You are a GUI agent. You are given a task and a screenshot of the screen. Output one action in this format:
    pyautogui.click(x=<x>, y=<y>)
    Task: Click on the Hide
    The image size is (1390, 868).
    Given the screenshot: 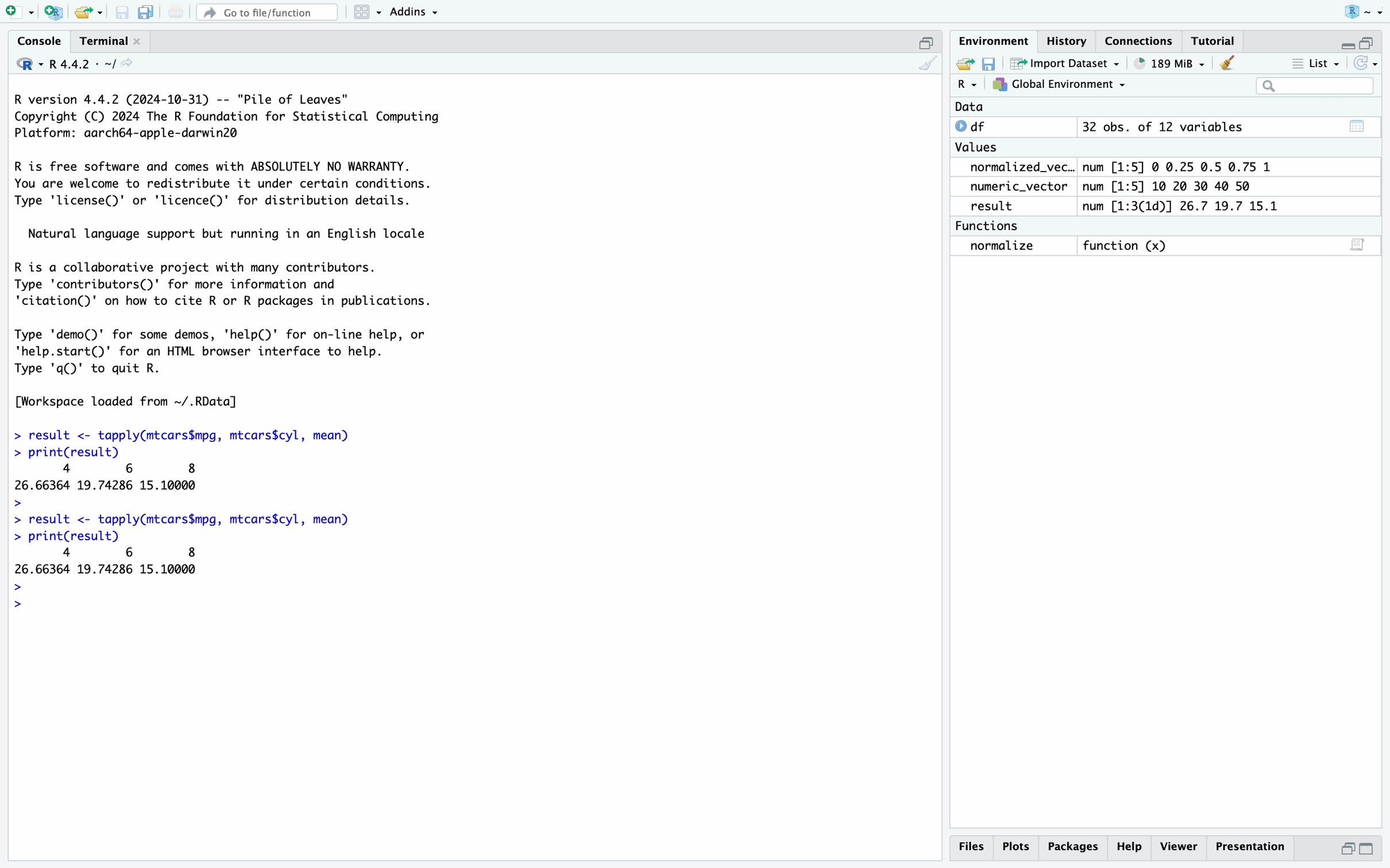 What is the action you would take?
    pyautogui.click(x=1347, y=45)
    